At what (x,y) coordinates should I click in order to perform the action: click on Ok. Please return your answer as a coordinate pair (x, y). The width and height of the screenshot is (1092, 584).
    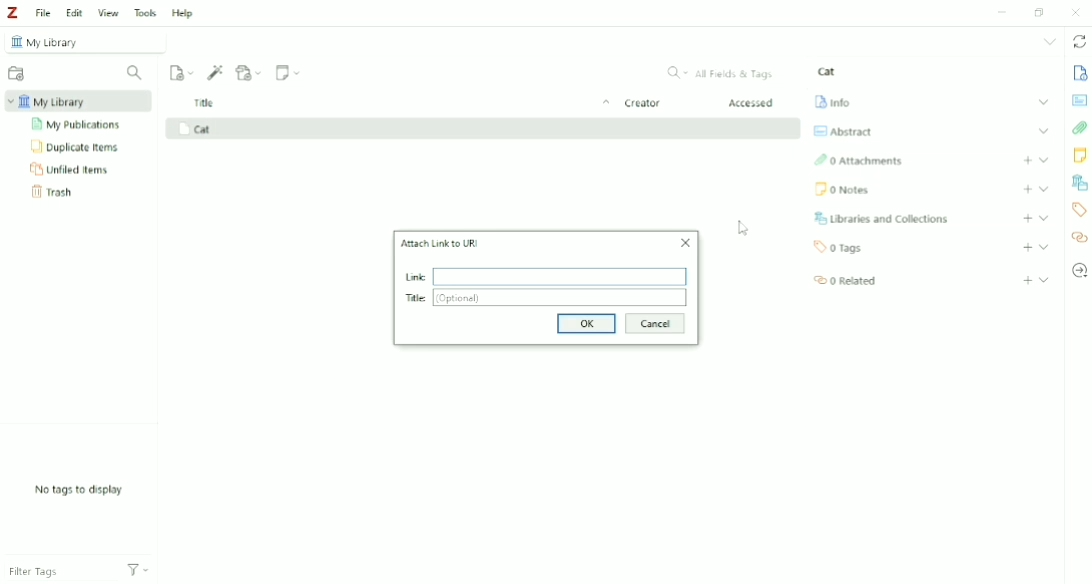
    Looking at the image, I should click on (583, 324).